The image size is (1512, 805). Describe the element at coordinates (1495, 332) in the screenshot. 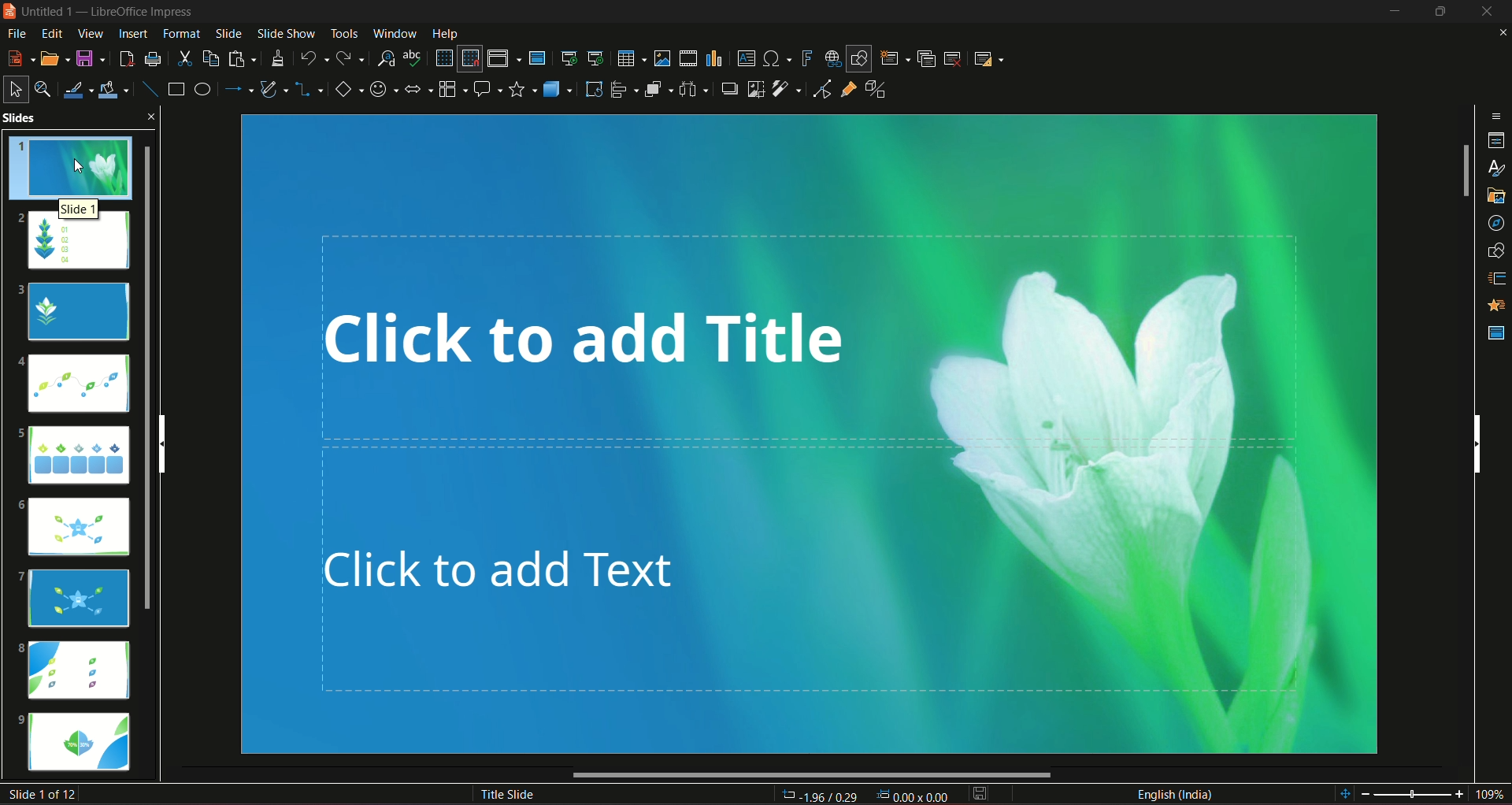

I see `master slides ` at that location.